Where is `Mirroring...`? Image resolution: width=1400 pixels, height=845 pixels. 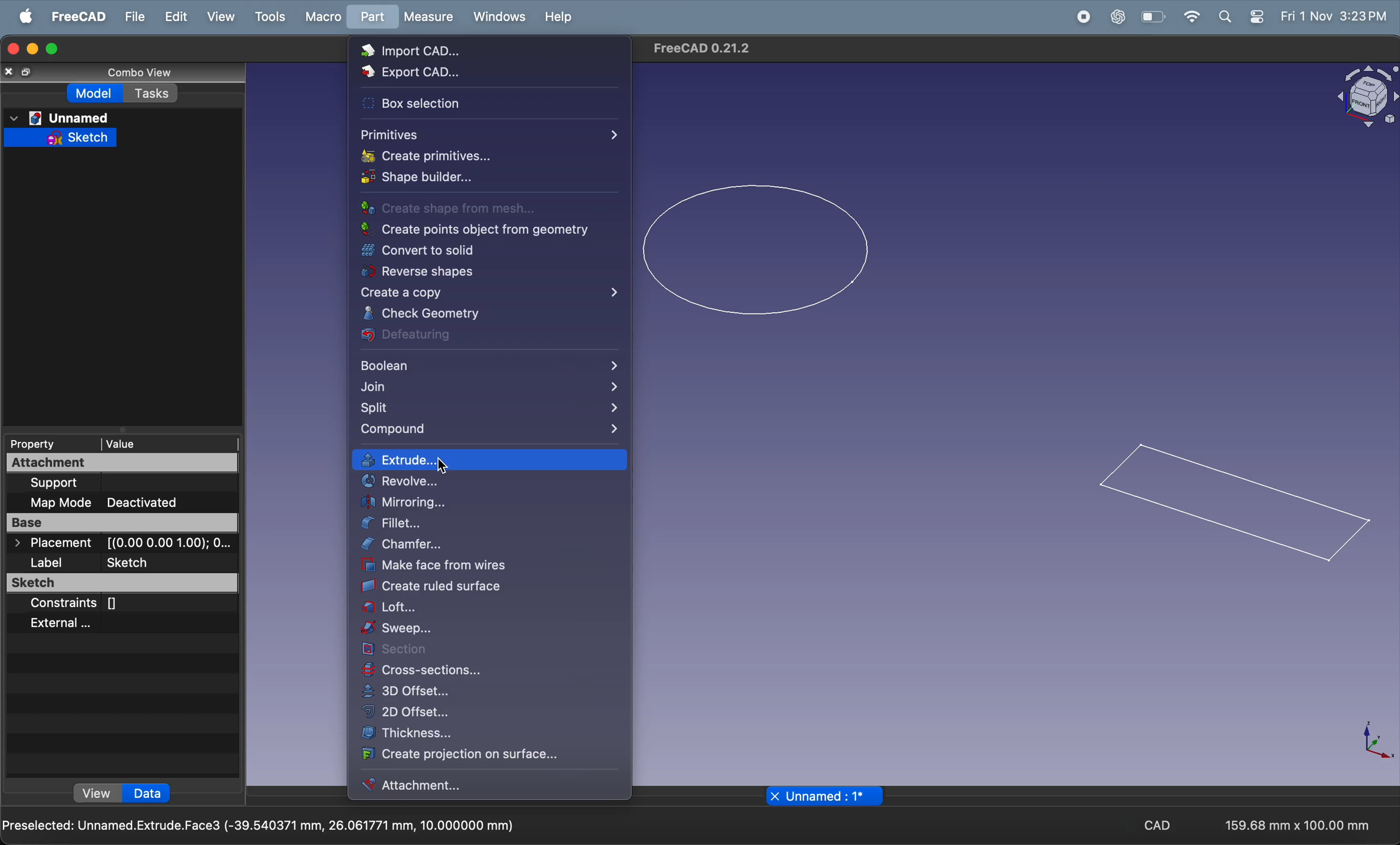 Mirroring... is located at coordinates (486, 503).